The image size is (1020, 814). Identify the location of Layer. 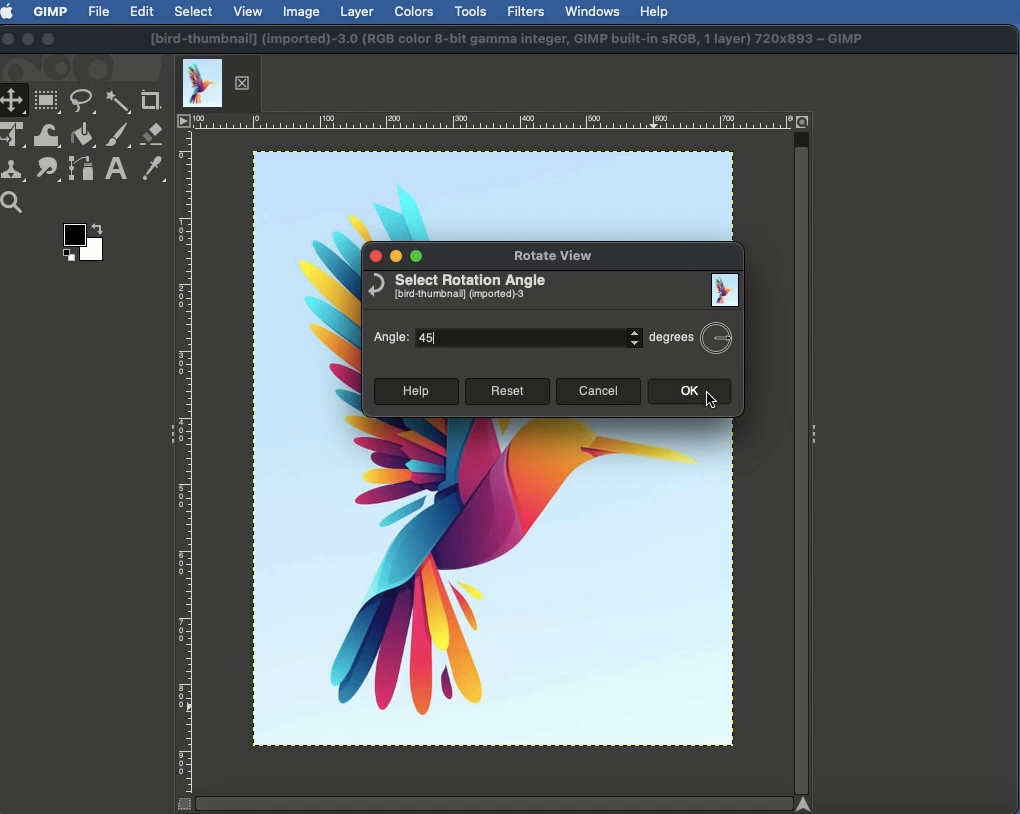
(357, 12).